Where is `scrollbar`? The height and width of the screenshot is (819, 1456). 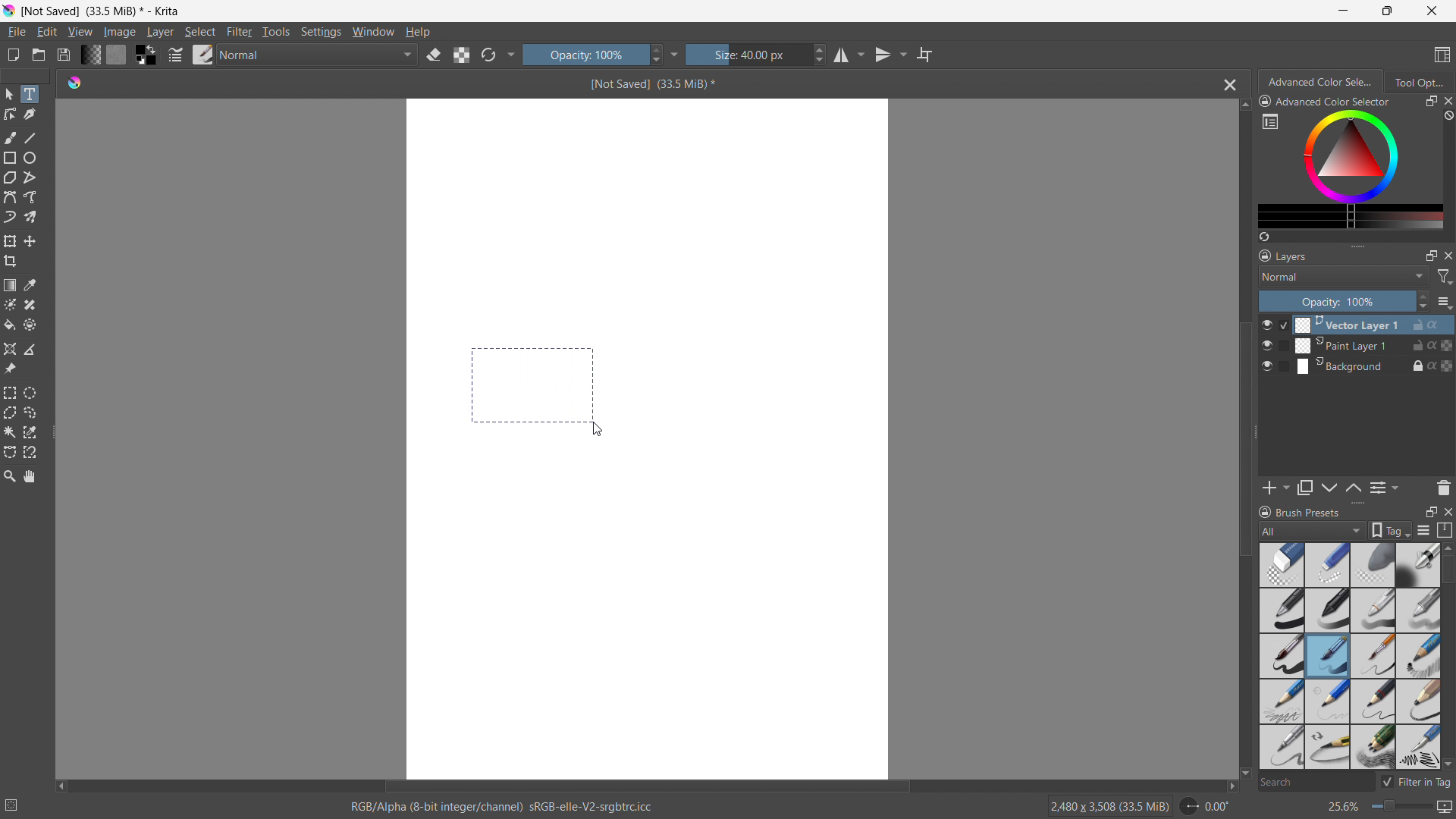 scrollbar is located at coordinates (1447, 635).